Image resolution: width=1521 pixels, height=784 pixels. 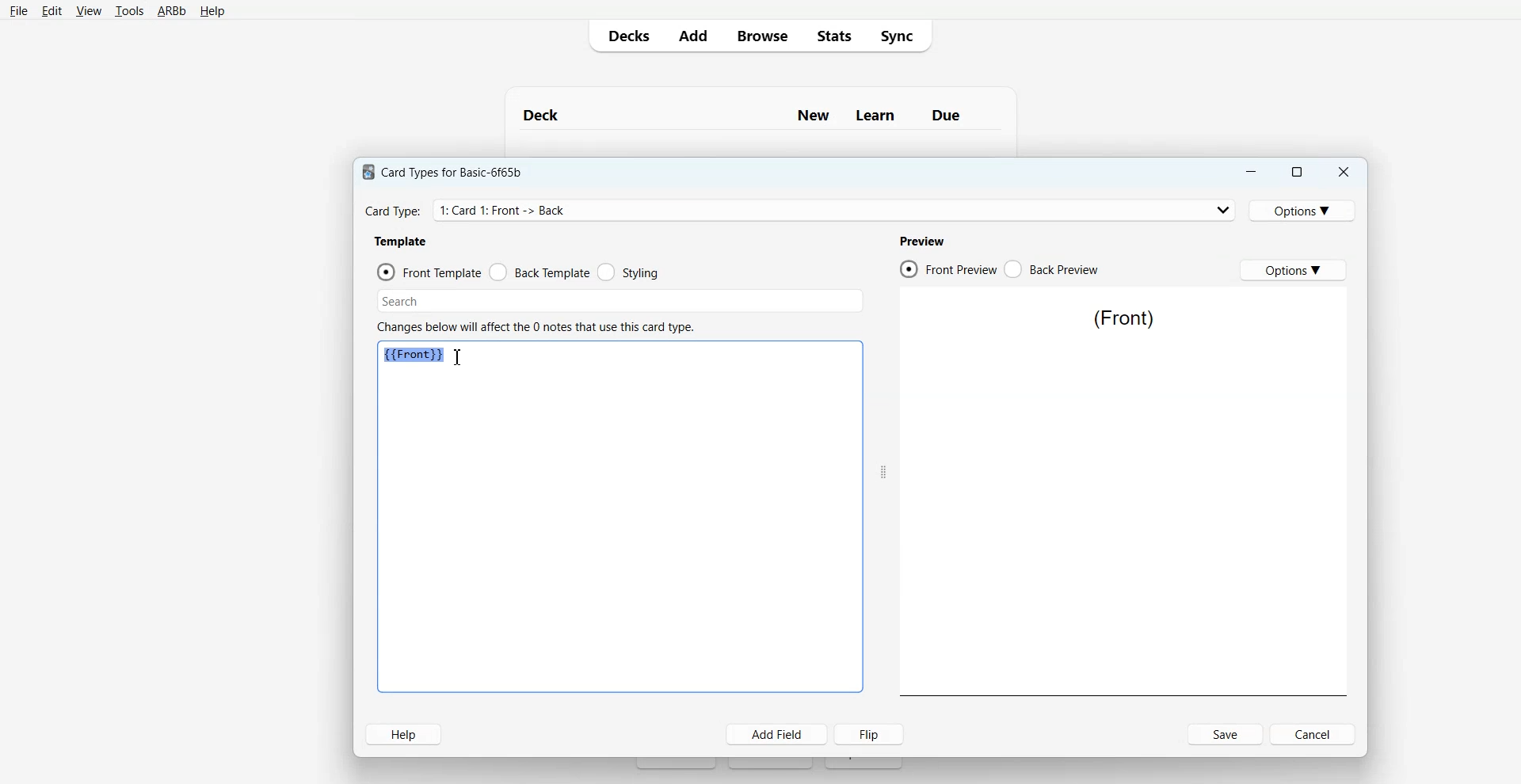 What do you see at coordinates (19, 11) in the screenshot?
I see `File` at bounding box center [19, 11].